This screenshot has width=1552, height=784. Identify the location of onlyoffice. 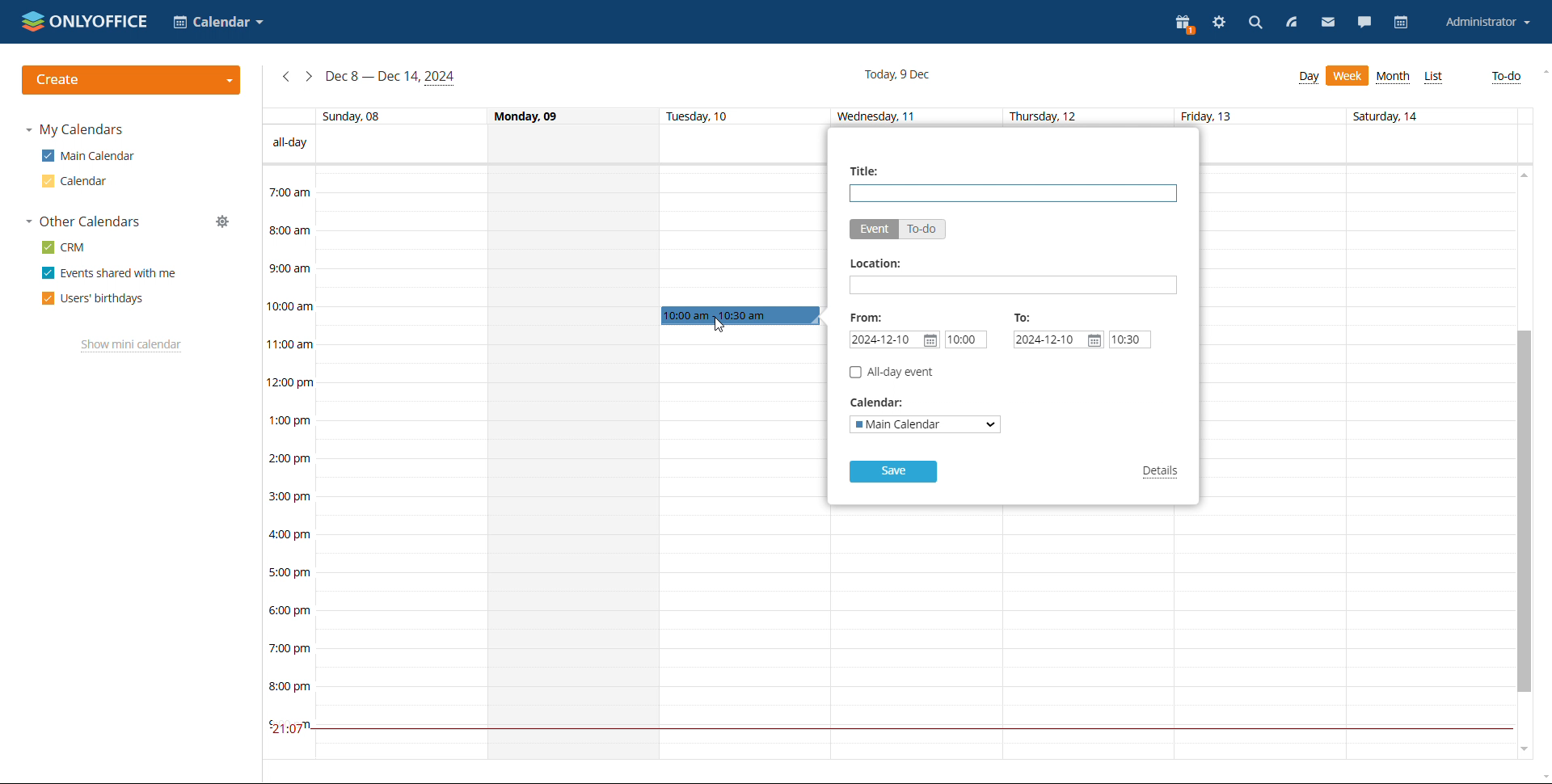
(86, 21).